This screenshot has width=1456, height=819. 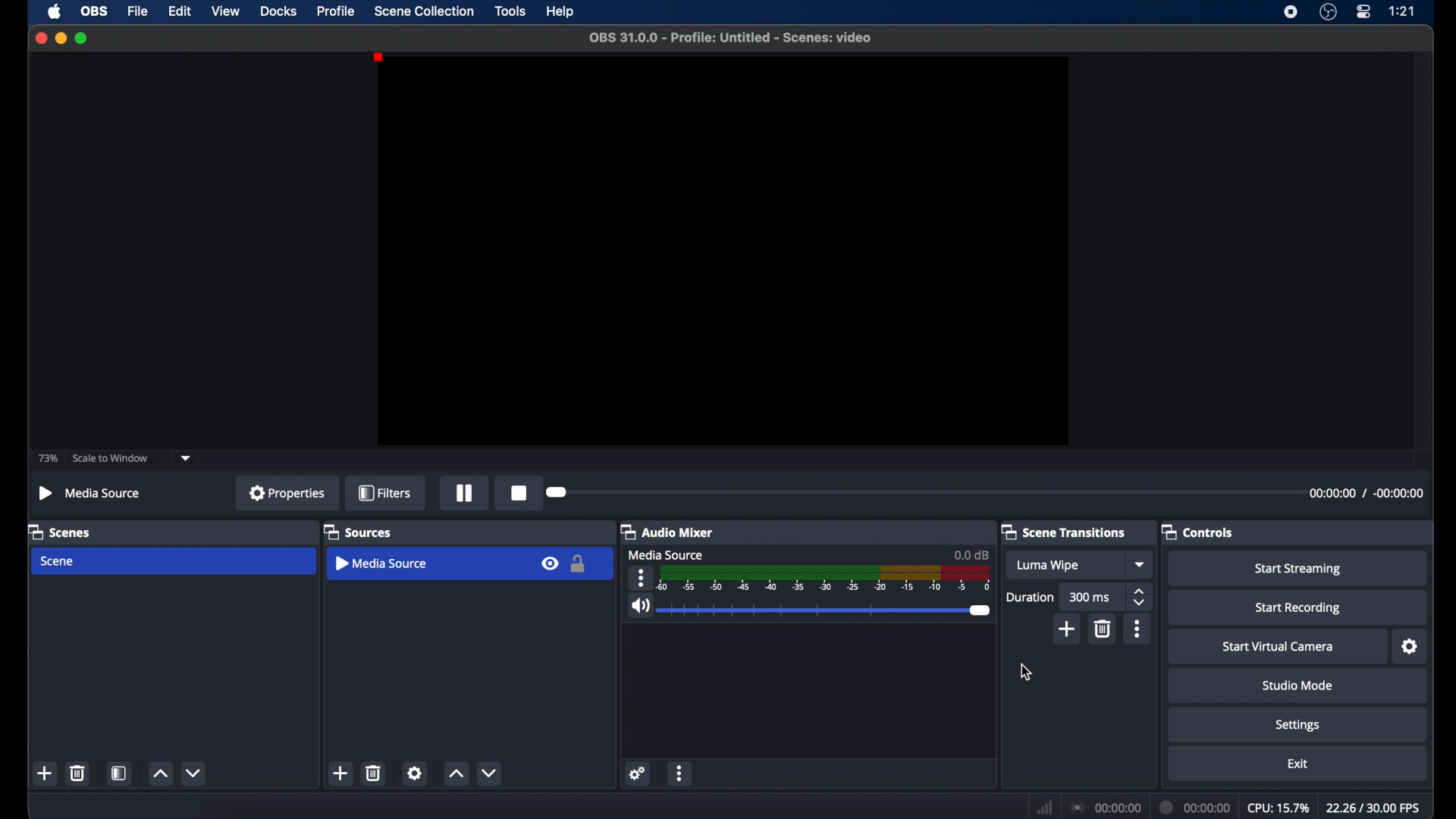 I want to click on add, so click(x=45, y=773).